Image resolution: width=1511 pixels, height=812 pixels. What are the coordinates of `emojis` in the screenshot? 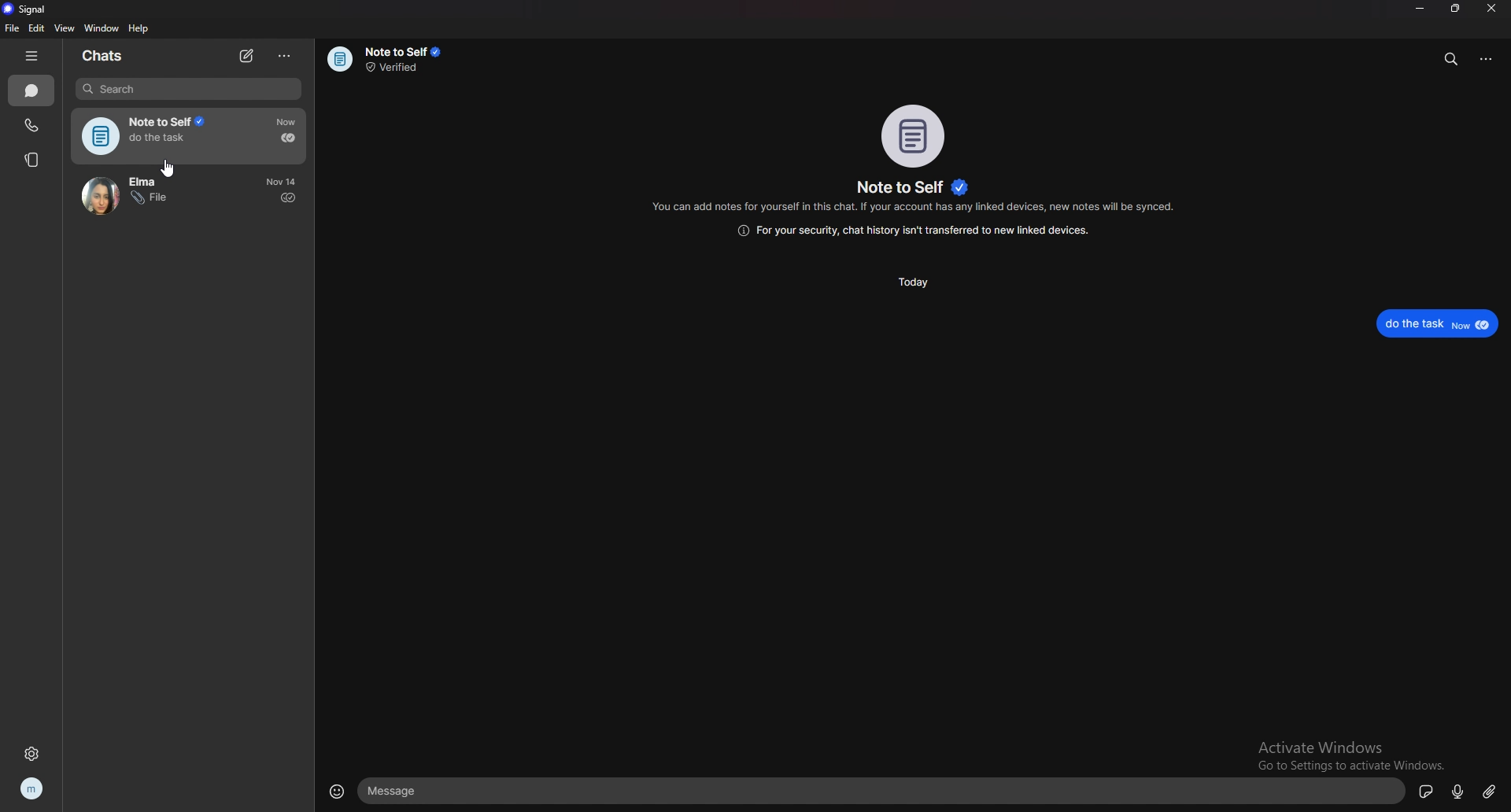 It's located at (337, 789).